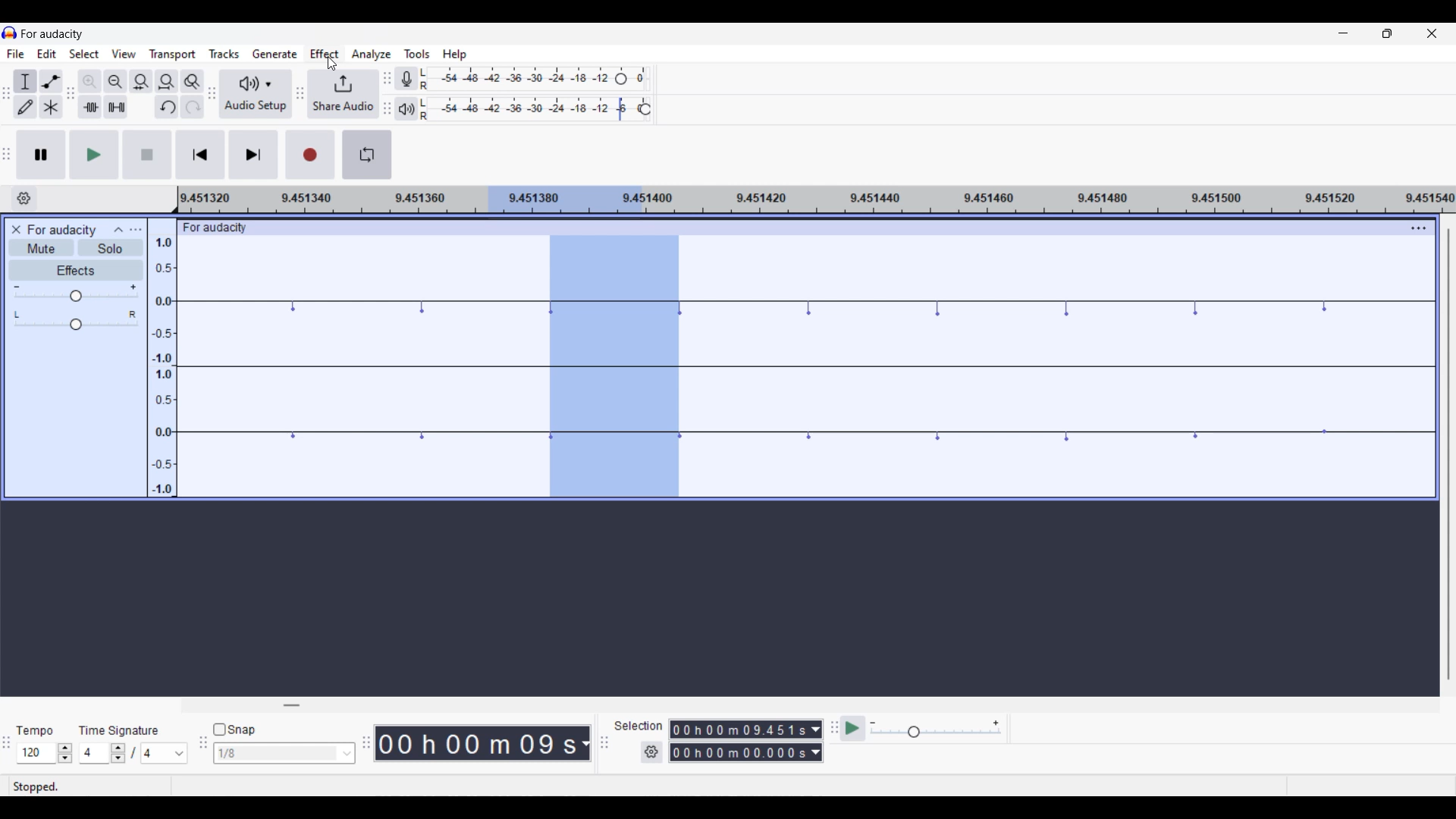 The width and height of the screenshot is (1456, 819). What do you see at coordinates (9, 752) in the screenshot?
I see `TIme selection tool bar` at bounding box center [9, 752].